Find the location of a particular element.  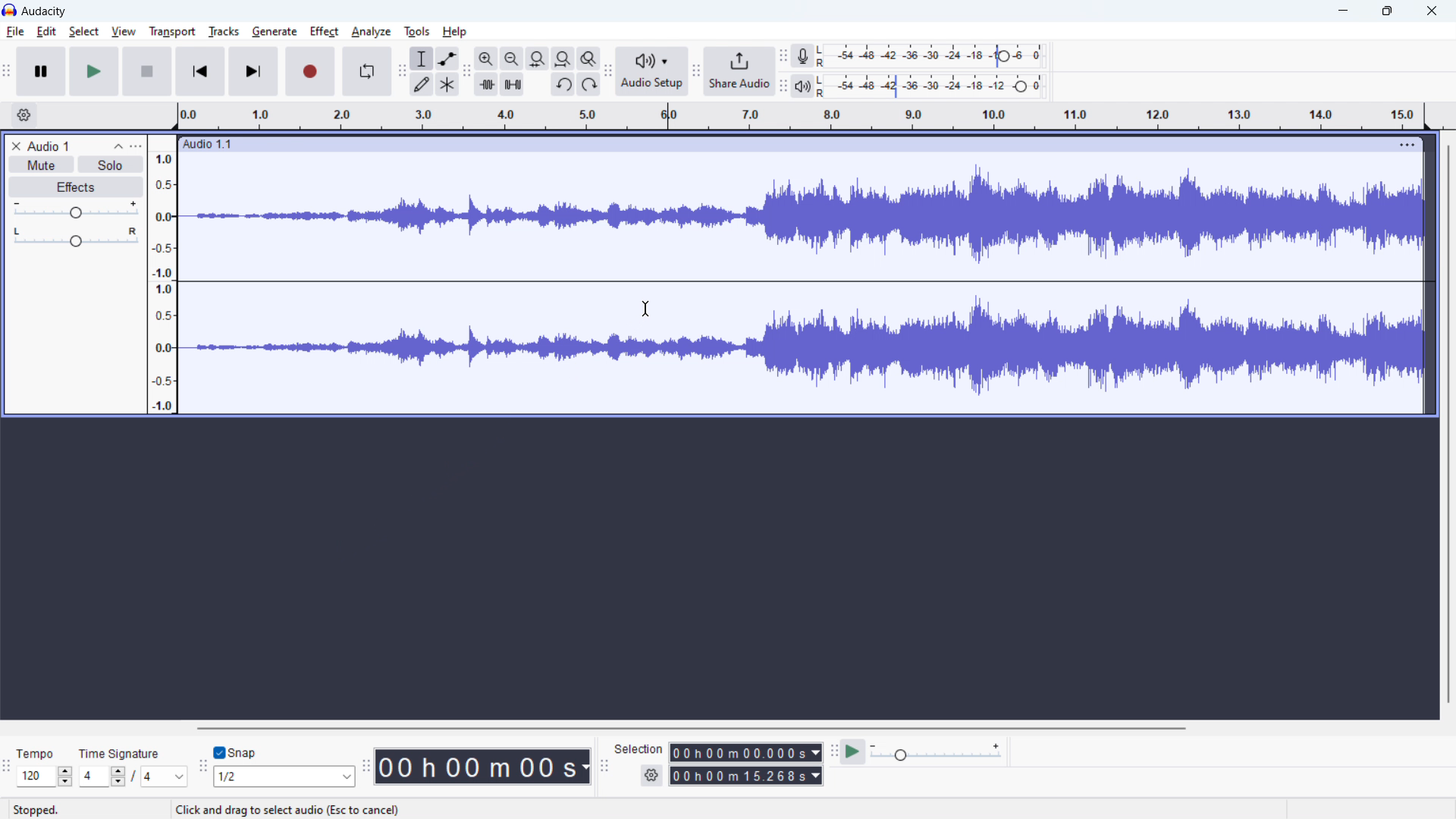

file is located at coordinates (14, 33).